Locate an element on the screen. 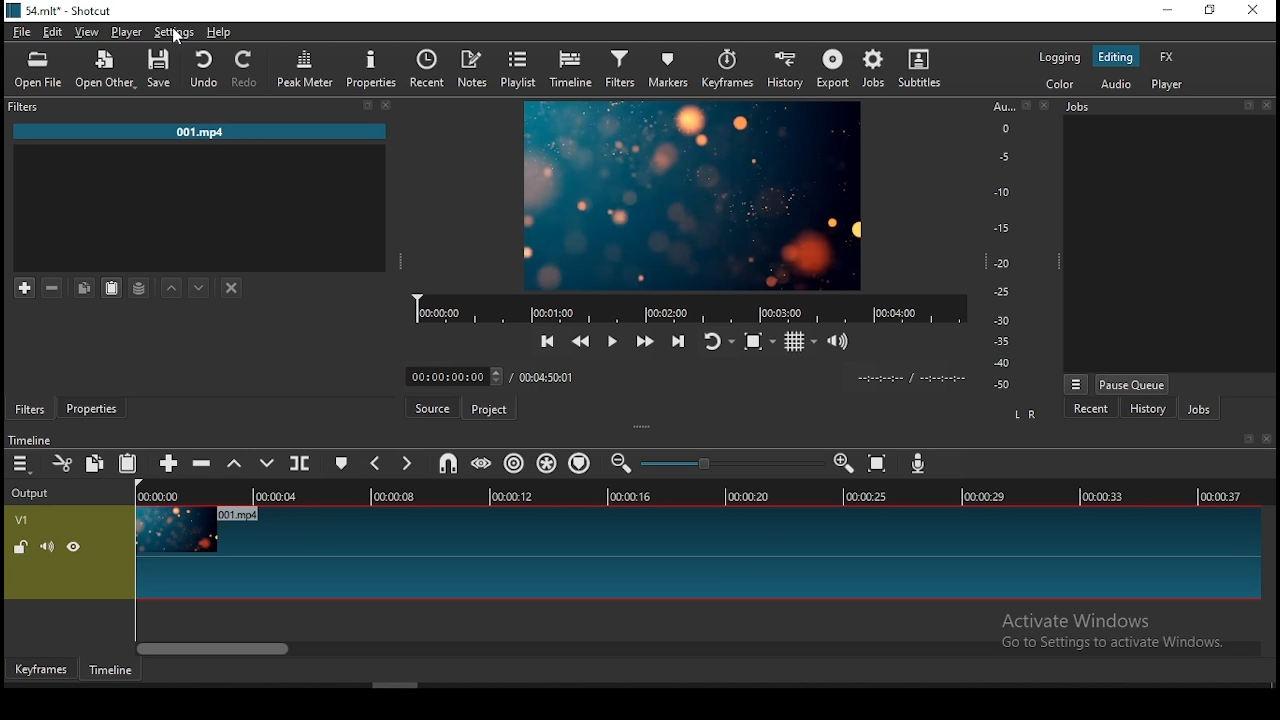 This screenshot has width=1280, height=720. keyframe is located at coordinates (41, 670).